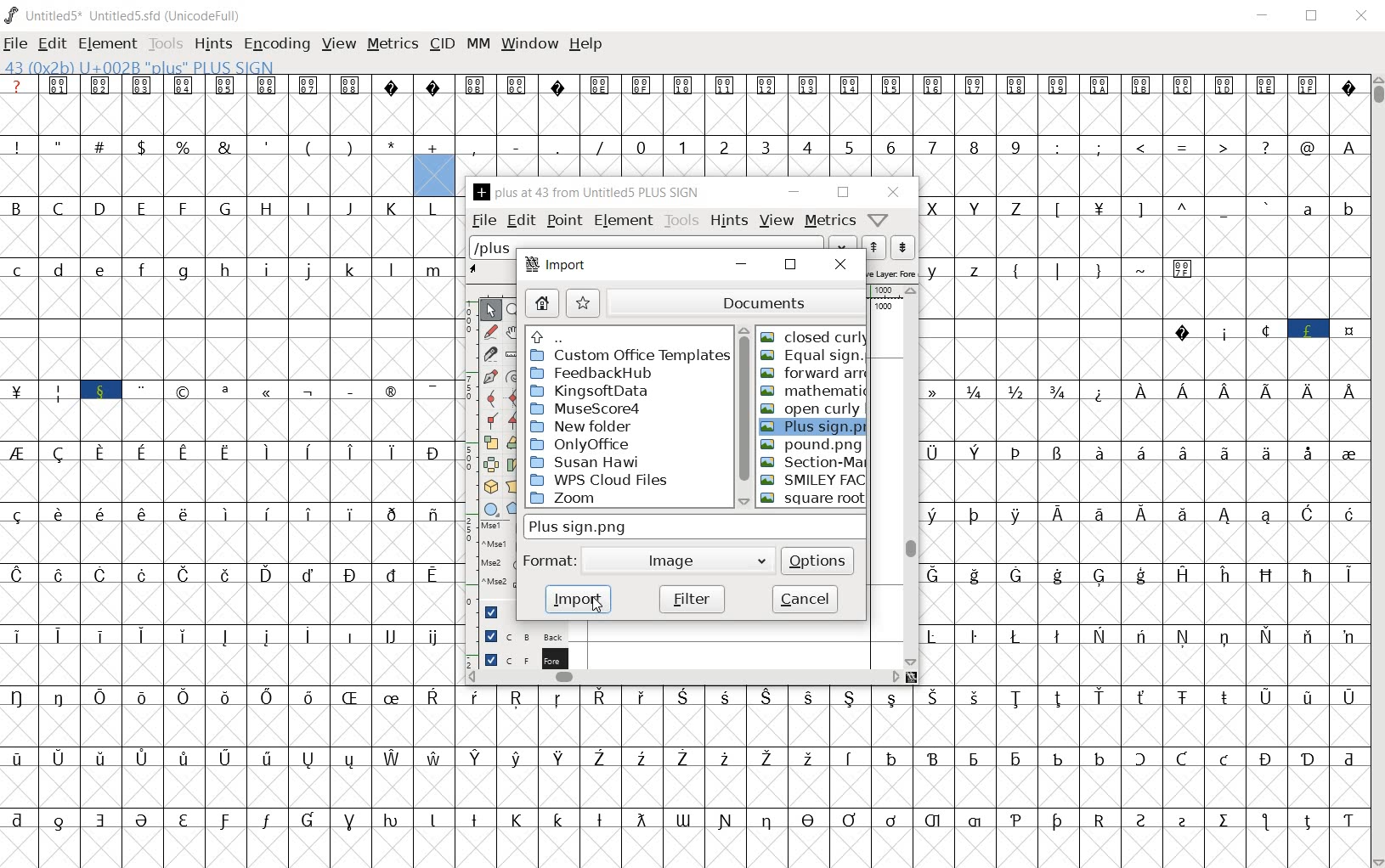 Image resolution: width=1385 pixels, height=868 pixels. Describe the element at coordinates (1016, 717) in the screenshot. I see `` at that location.